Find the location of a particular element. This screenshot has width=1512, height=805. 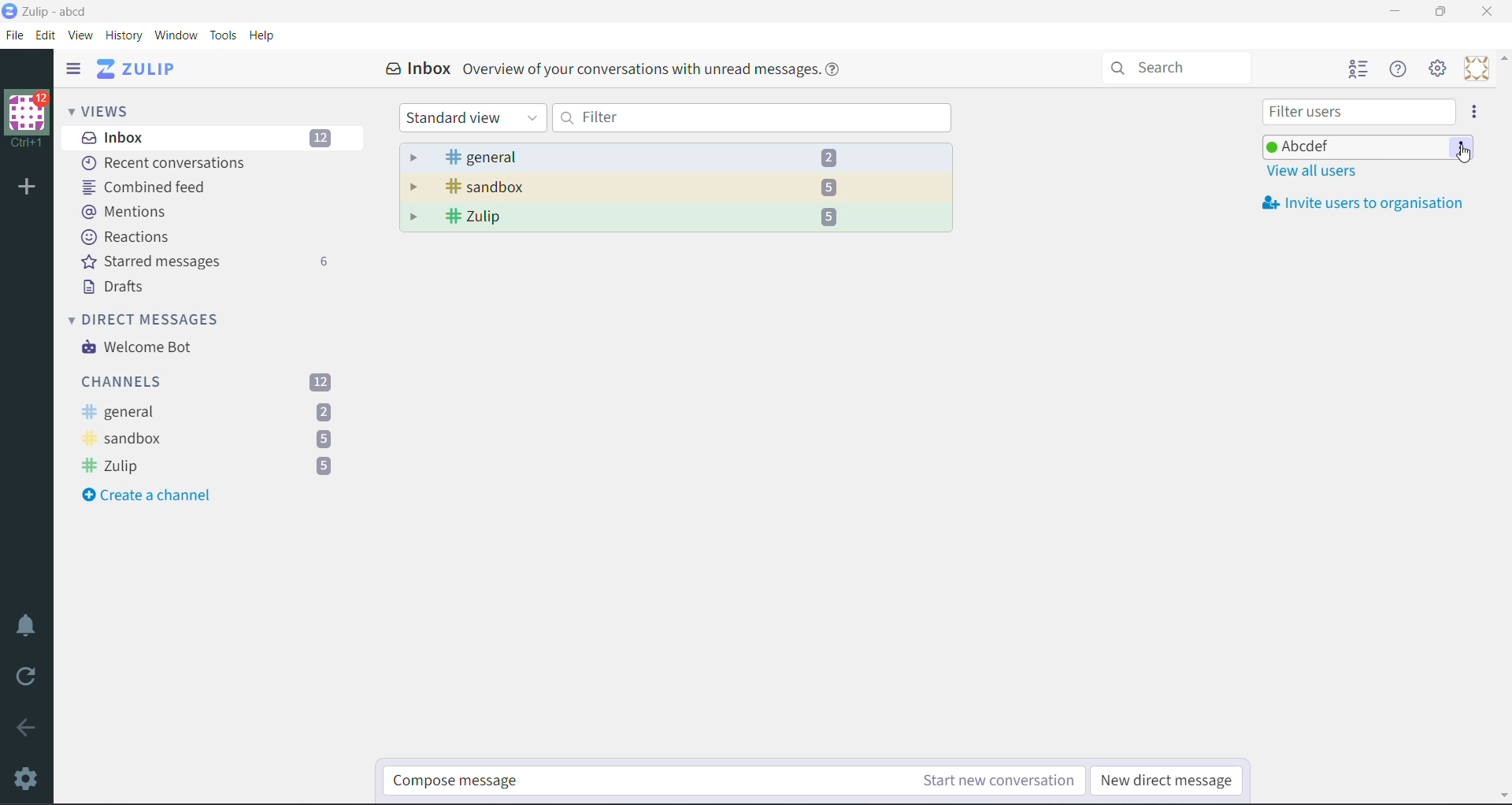

Application name ( ZULIP) is located at coordinates (143, 69).